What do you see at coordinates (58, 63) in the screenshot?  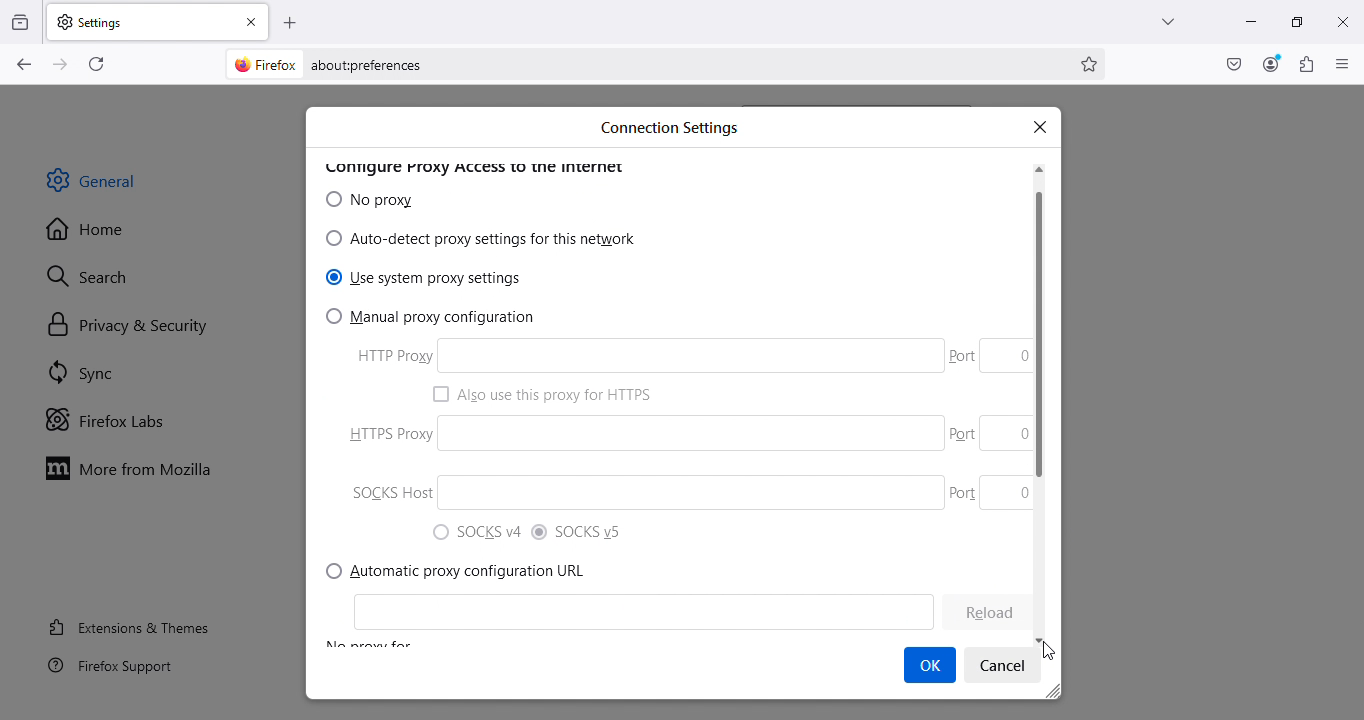 I see `Go forward one page` at bounding box center [58, 63].